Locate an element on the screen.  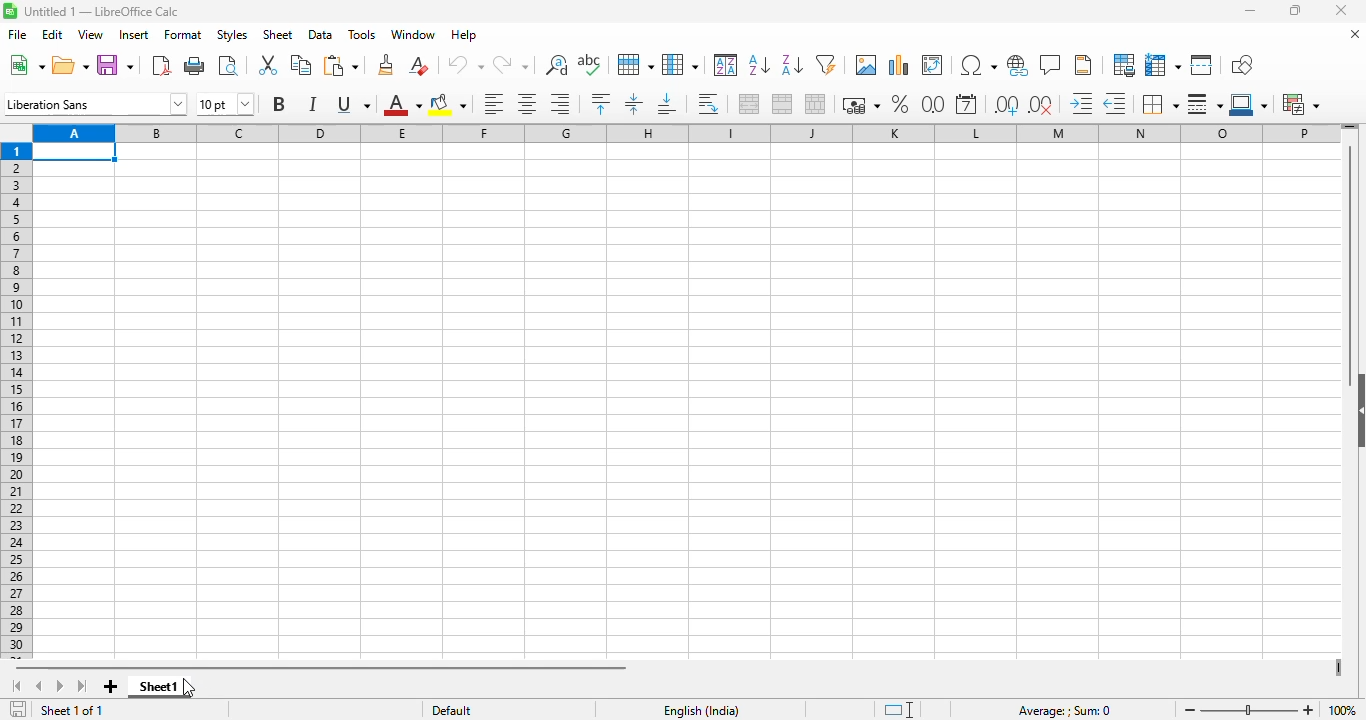
tools is located at coordinates (362, 34).